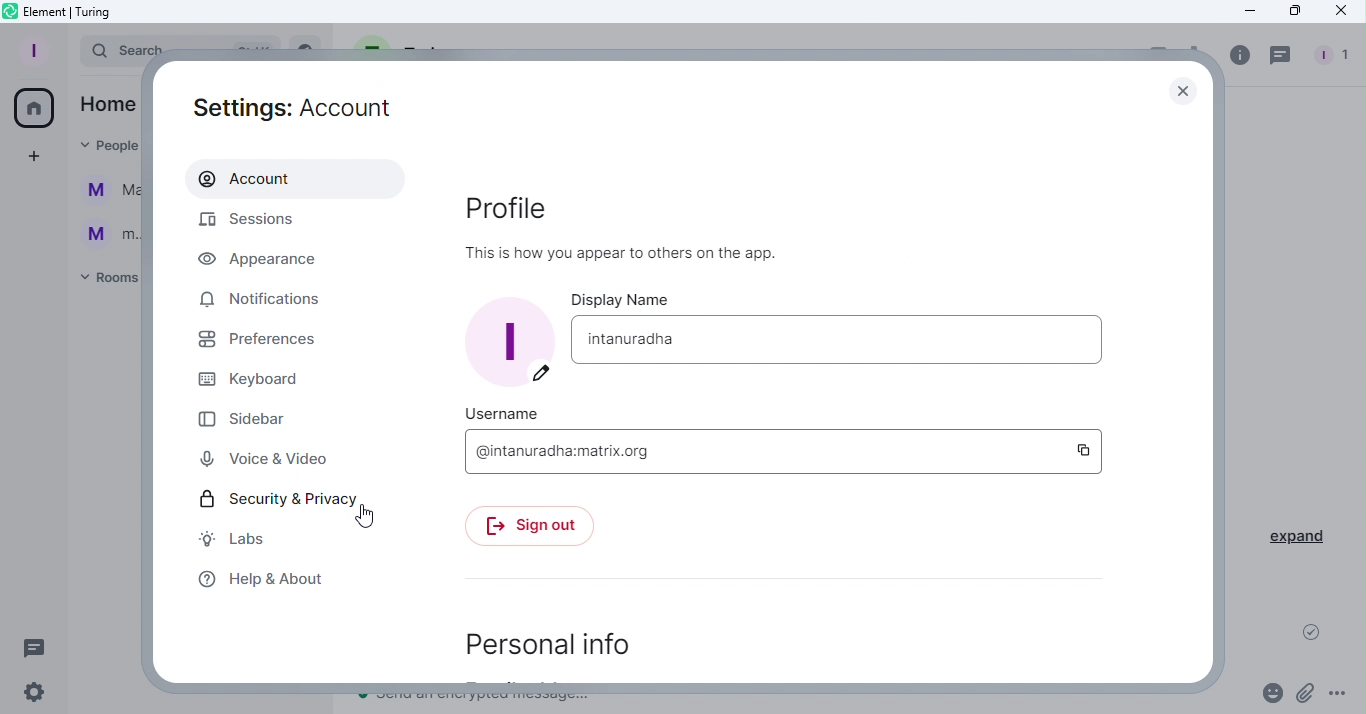 This screenshot has width=1366, height=714. Describe the element at coordinates (538, 528) in the screenshot. I see `Sign out` at that location.